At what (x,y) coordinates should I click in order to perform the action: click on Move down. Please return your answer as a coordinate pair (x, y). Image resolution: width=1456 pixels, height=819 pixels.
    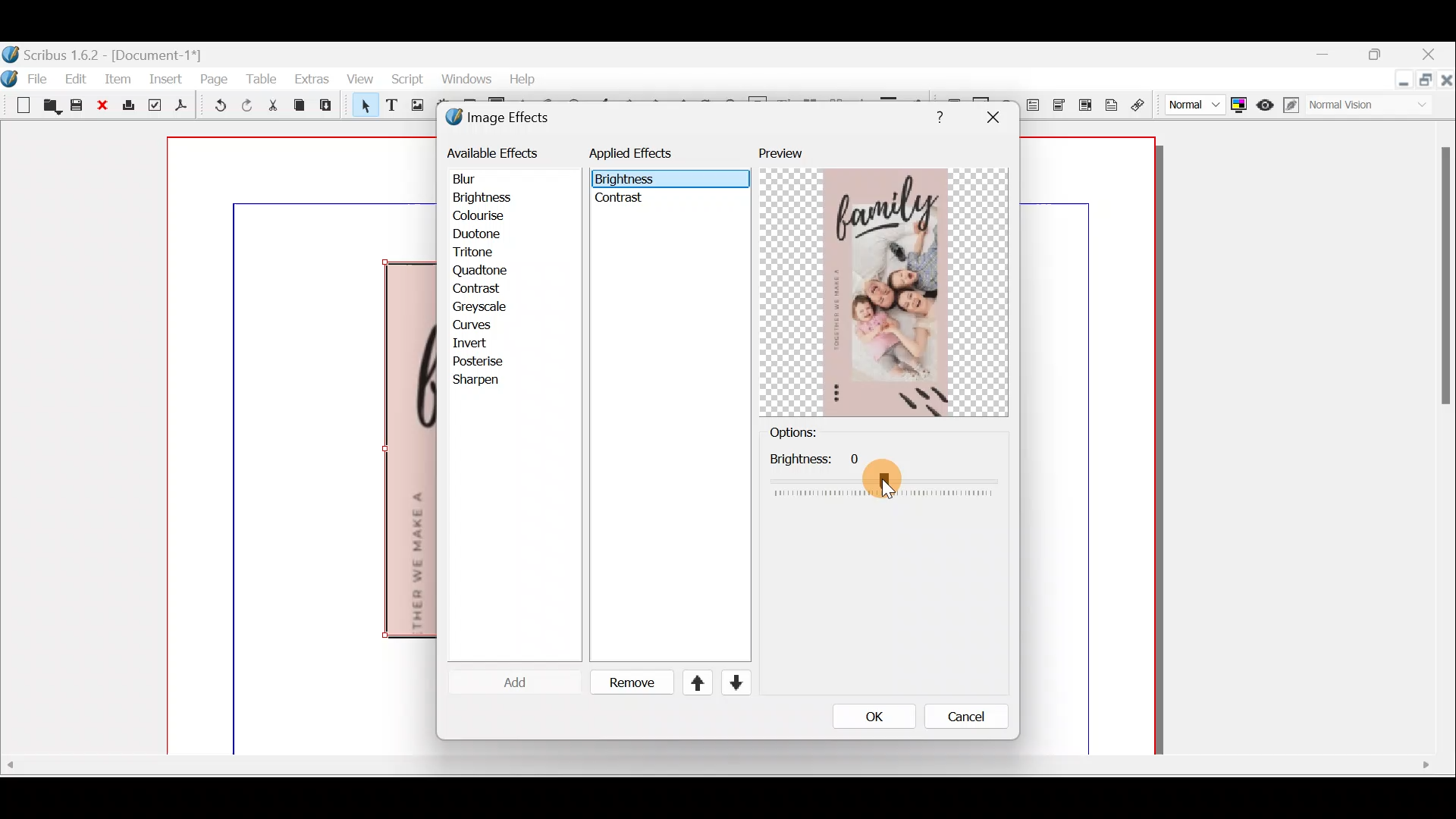
    Looking at the image, I should click on (734, 682).